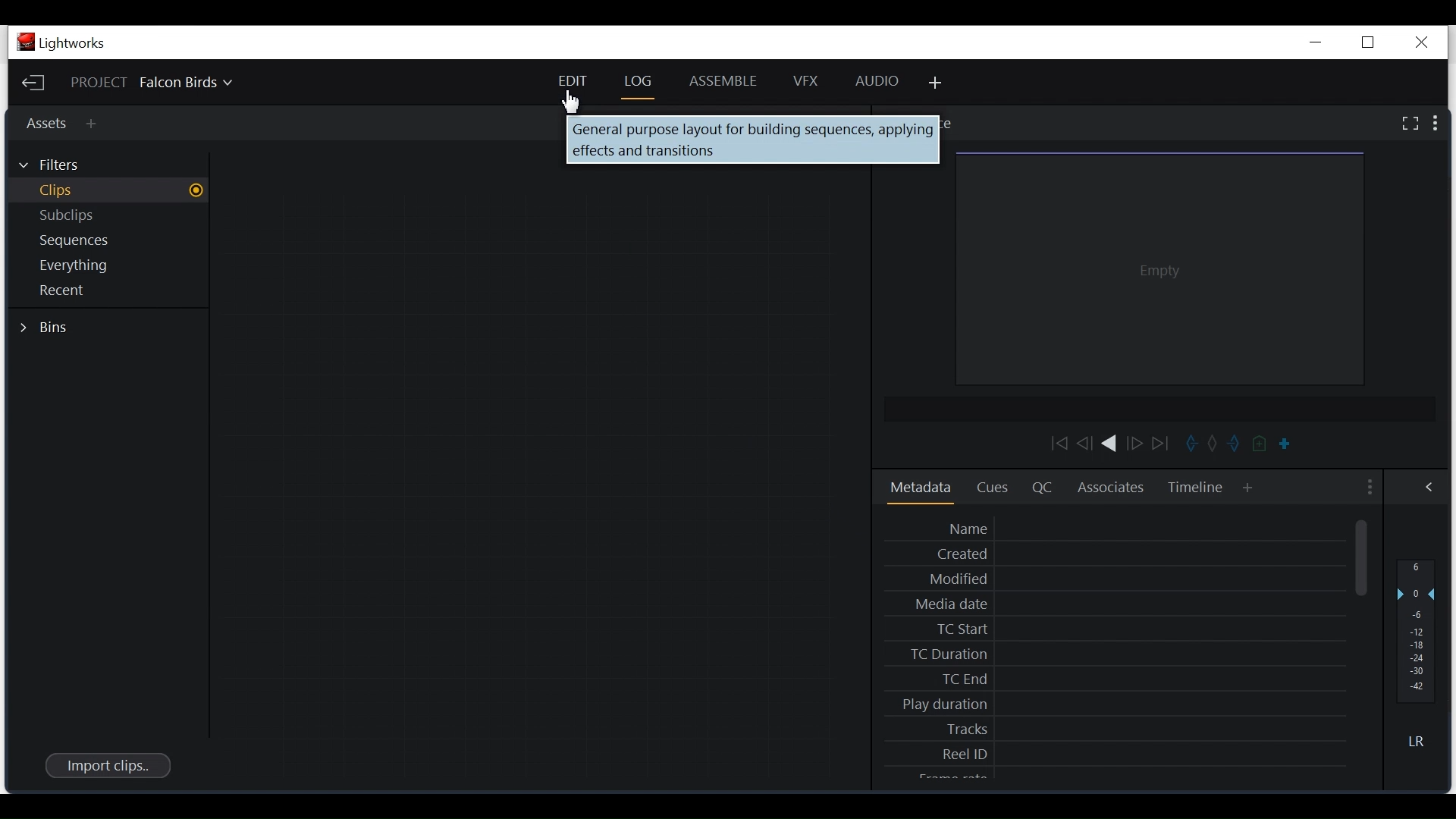 This screenshot has width=1456, height=819. I want to click on Show settings menu, so click(1367, 488).